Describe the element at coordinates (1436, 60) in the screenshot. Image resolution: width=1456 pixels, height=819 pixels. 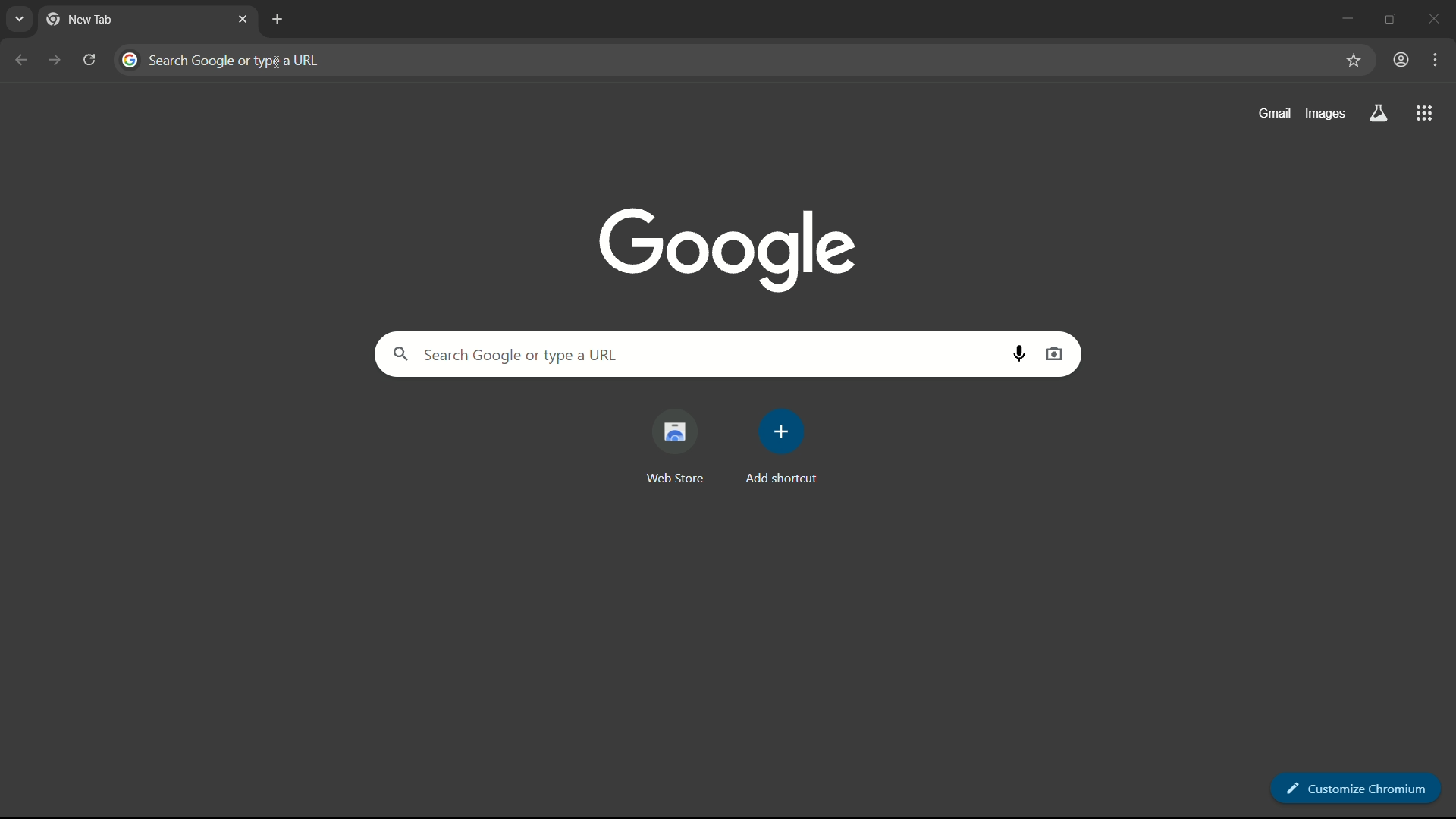
I see `customize chromium` at that location.